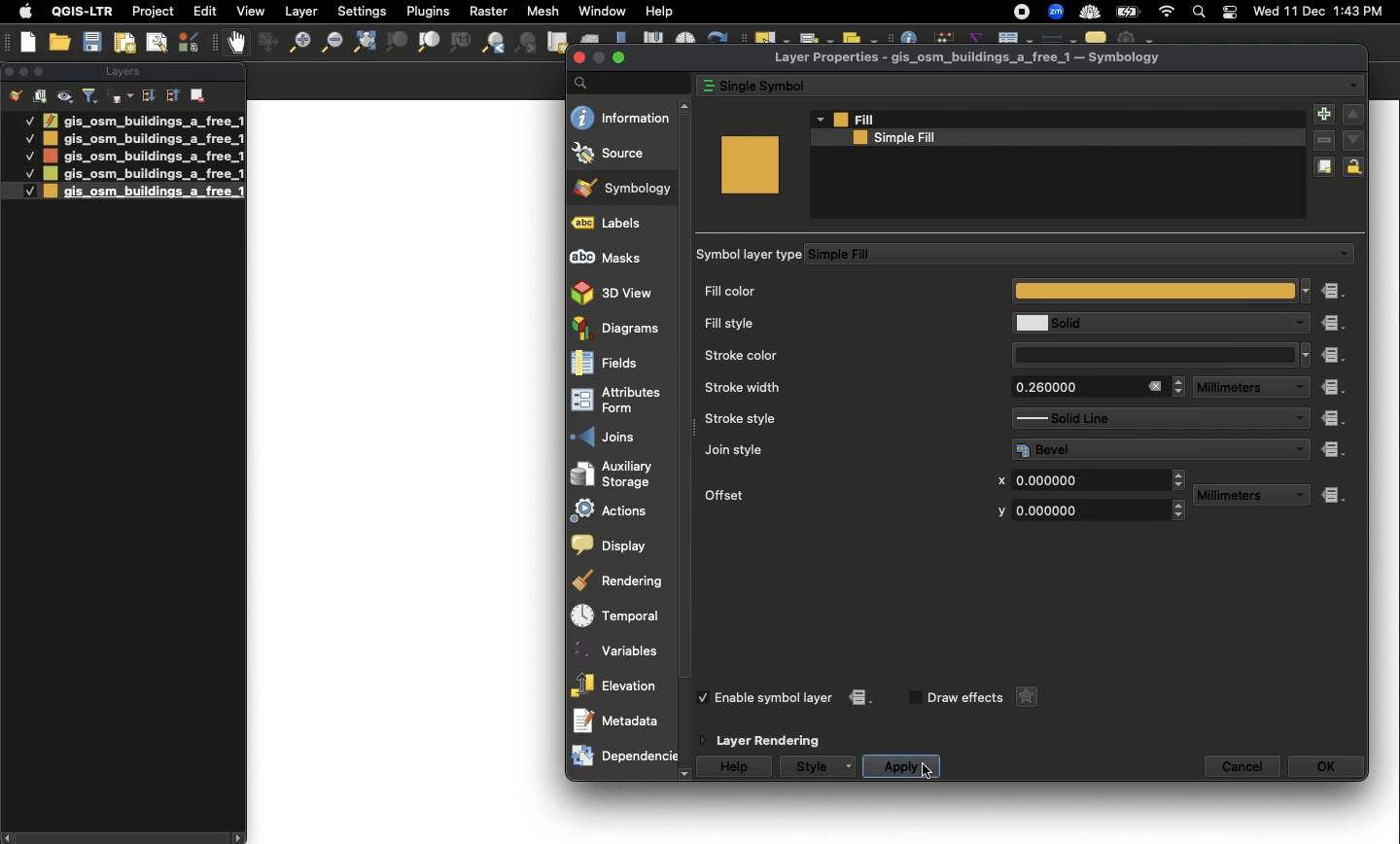  I want to click on Remove, so click(199, 93).